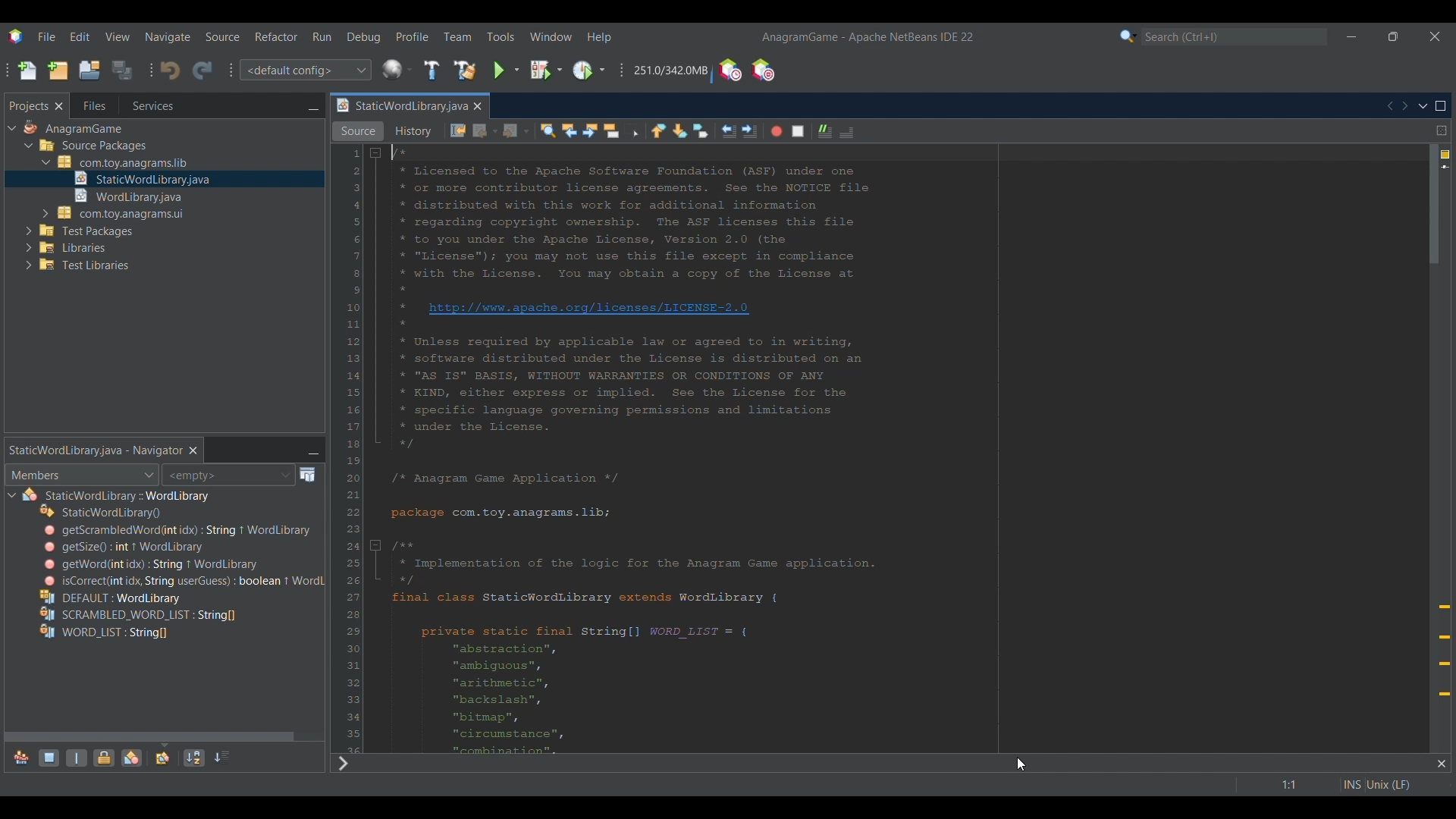 This screenshot has height=819, width=1456. Describe the element at coordinates (13, 495) in the screenshot. I see `Click to collapse current file` at that location.